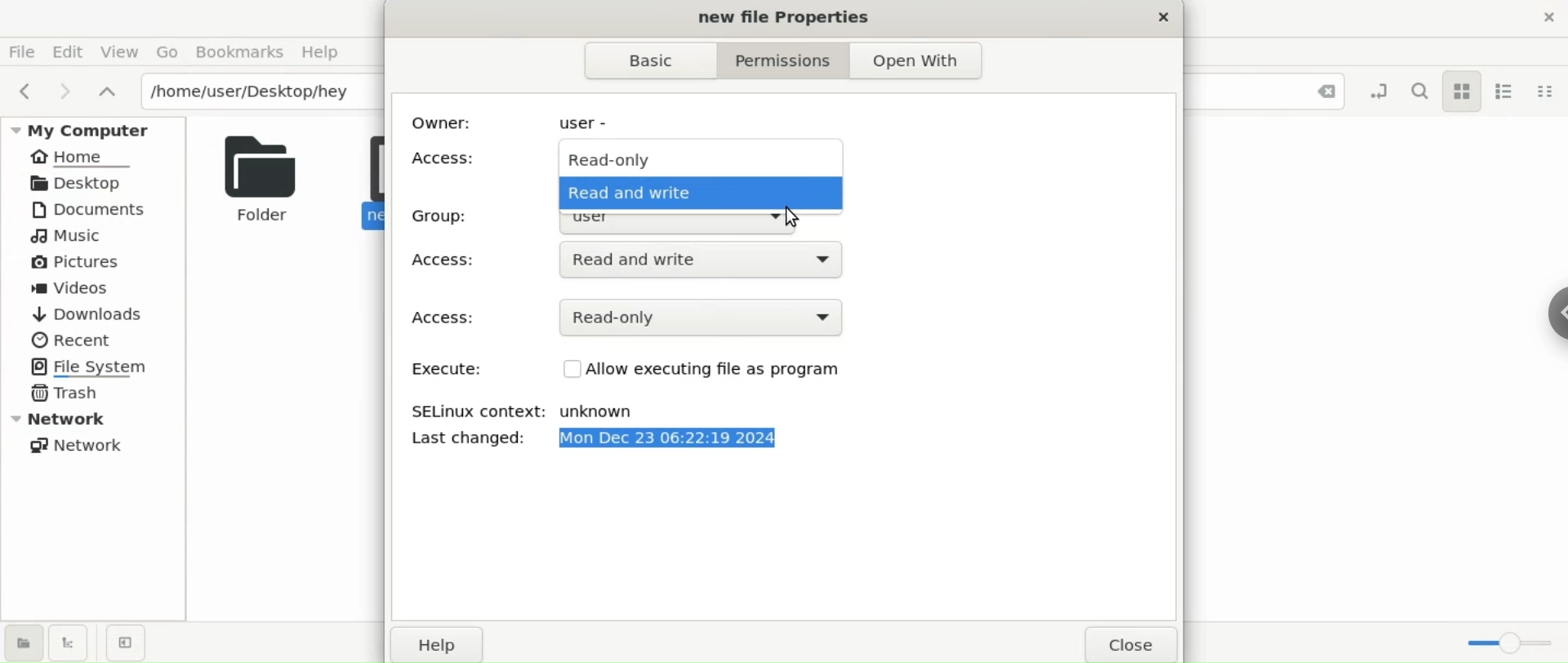  What do you see at coordinates (559, 371) in the screenshot?
I see `Checkbox` at bounding box center [559, 371].